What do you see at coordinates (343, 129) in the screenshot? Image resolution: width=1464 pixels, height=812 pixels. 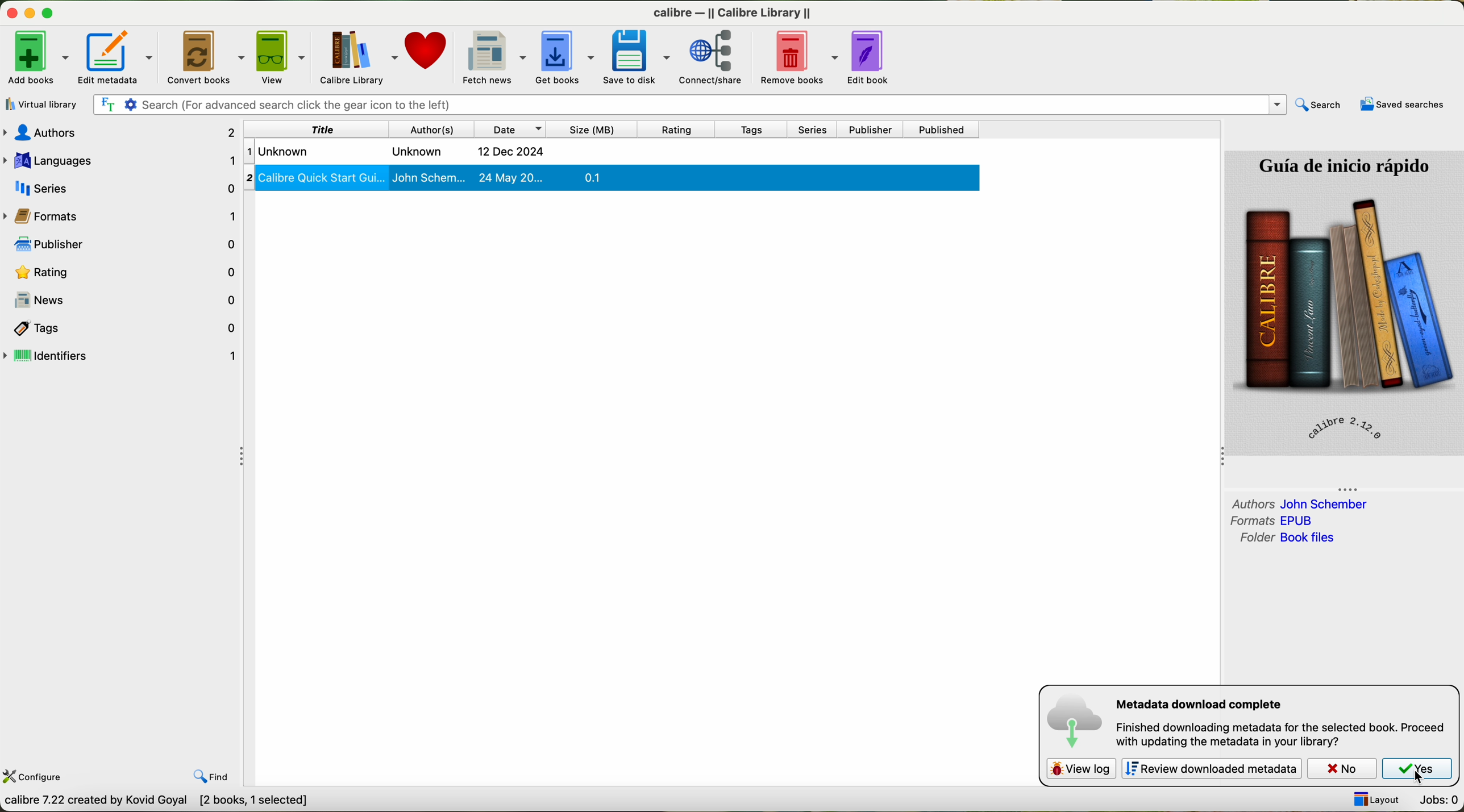 I see `title` at bounding box center [343, 129].